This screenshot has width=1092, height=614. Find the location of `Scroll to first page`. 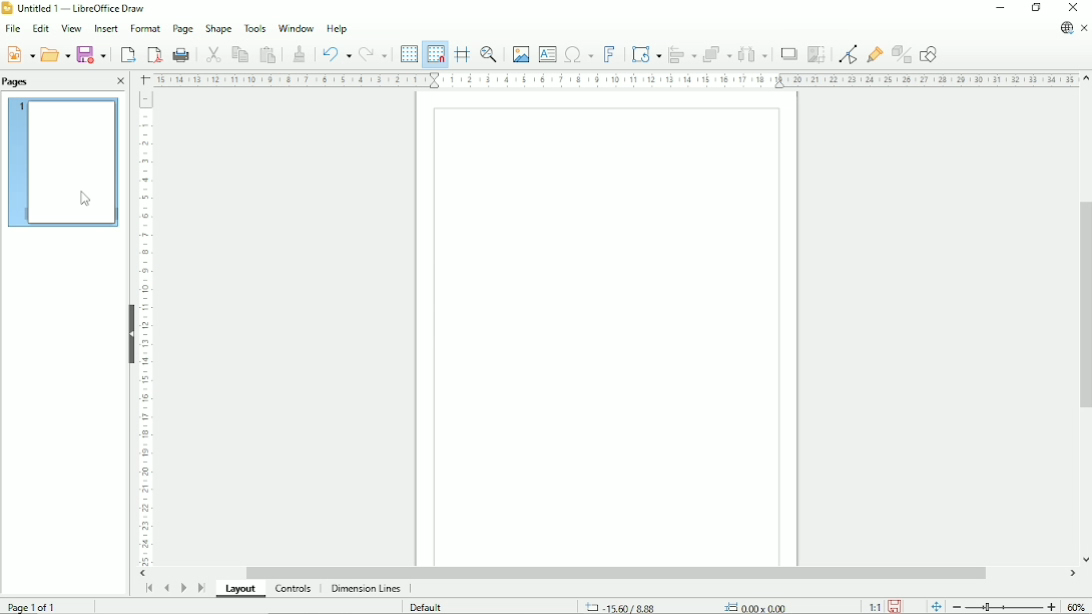

Scroll to first page is located at coordinates (148, 588).